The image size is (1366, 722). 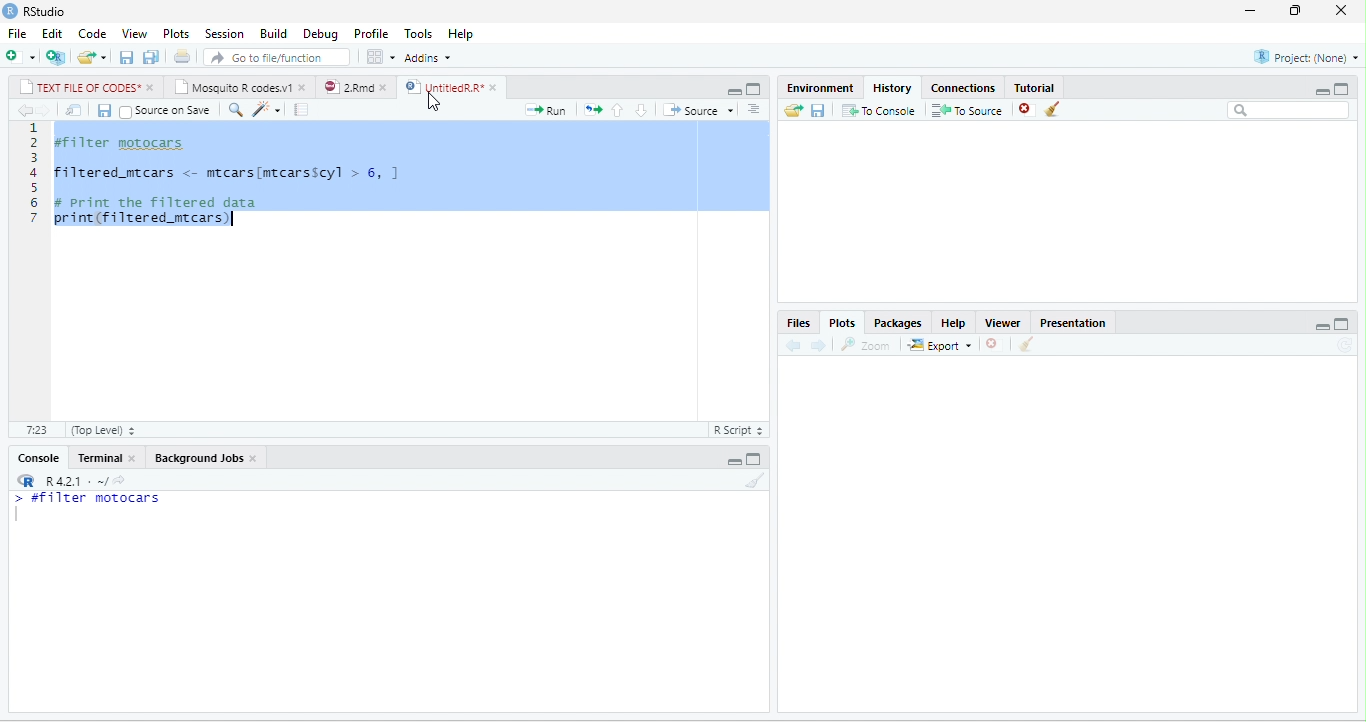 I want to click on R script, so click(x=738, y=430).